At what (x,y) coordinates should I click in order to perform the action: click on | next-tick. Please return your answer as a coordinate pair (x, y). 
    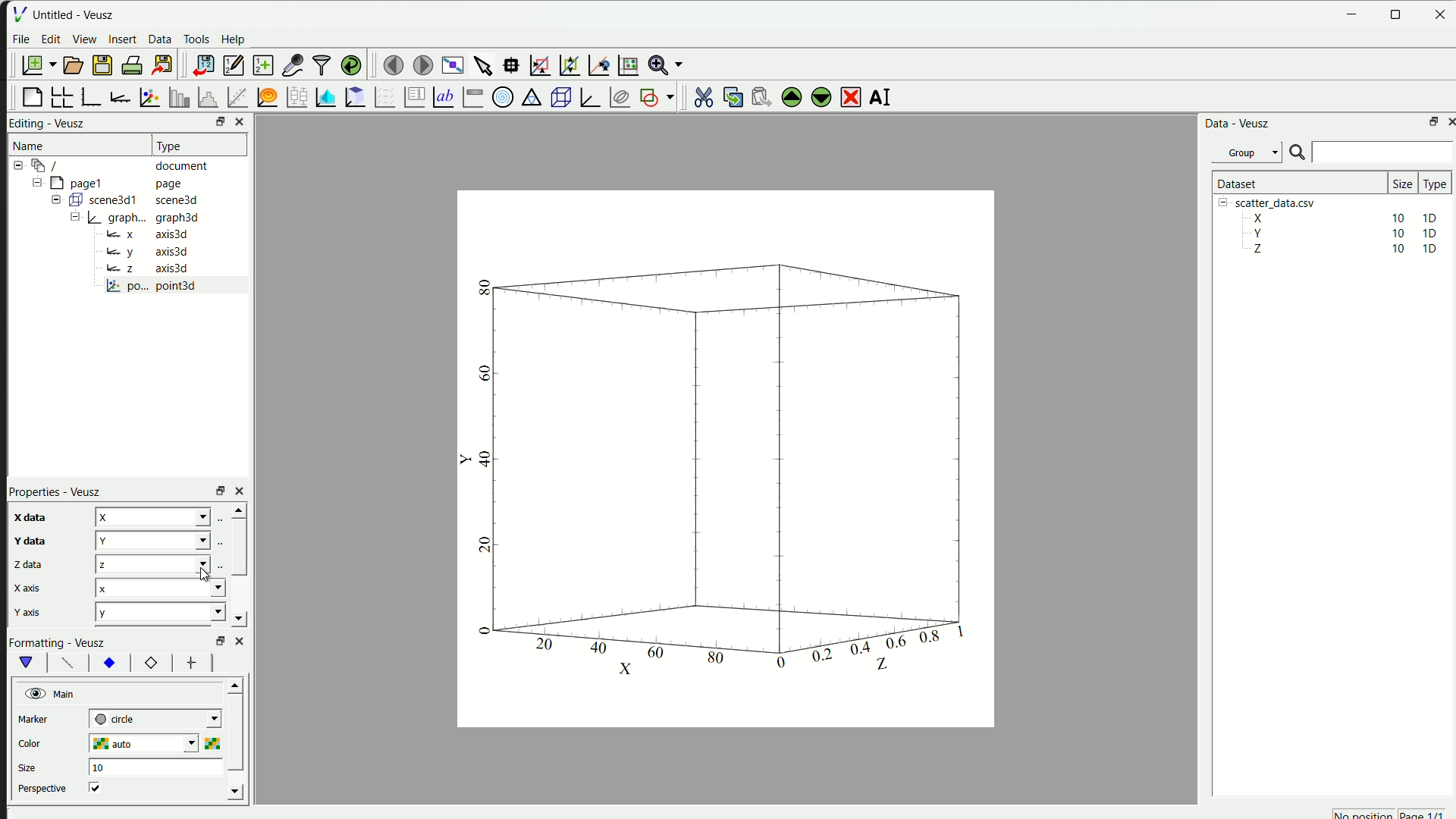
    Looking at the image, I should click on (162, 720).